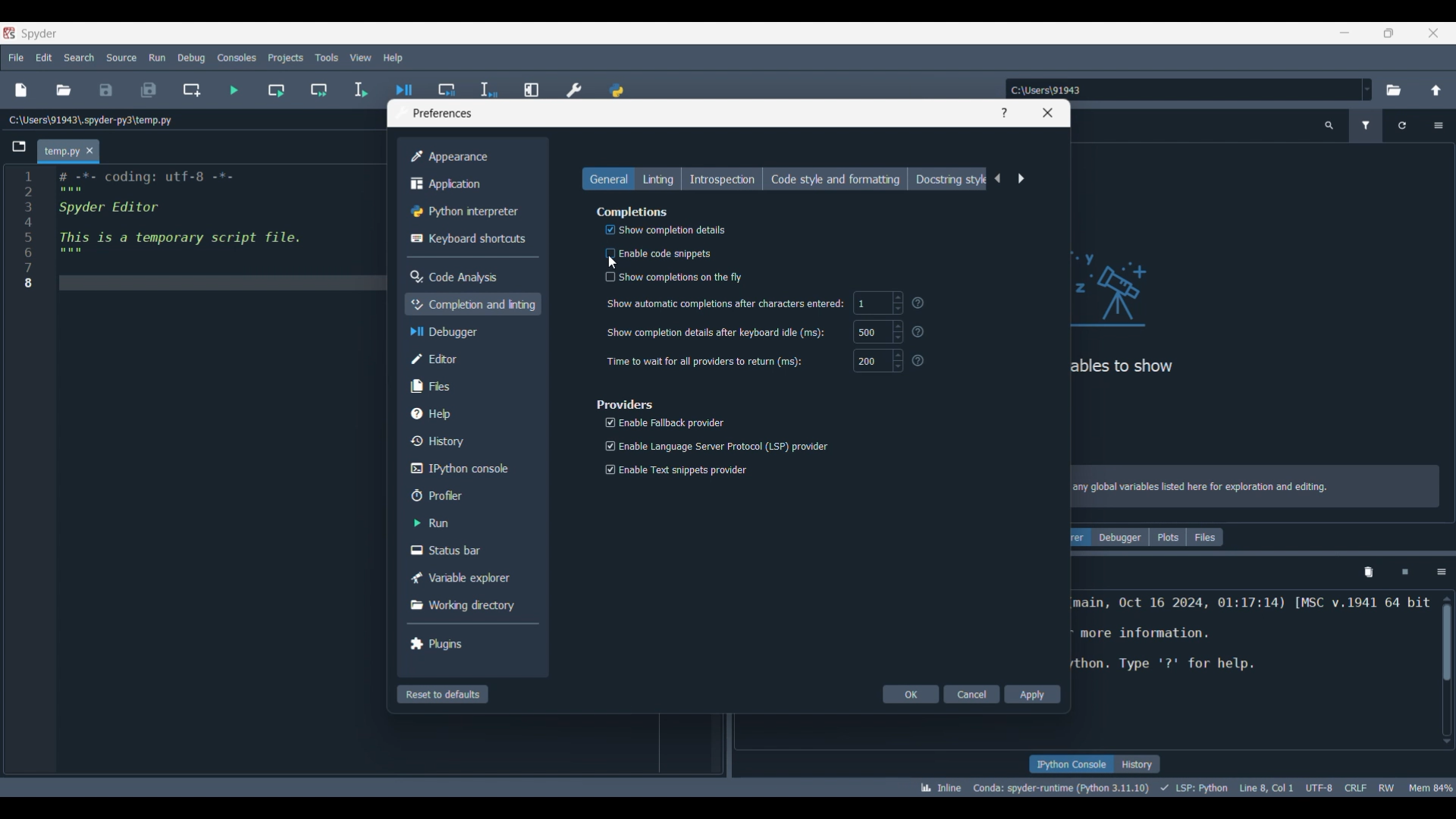 The image size is (1456, 819). I want to click on Close, so click(1433, 33).